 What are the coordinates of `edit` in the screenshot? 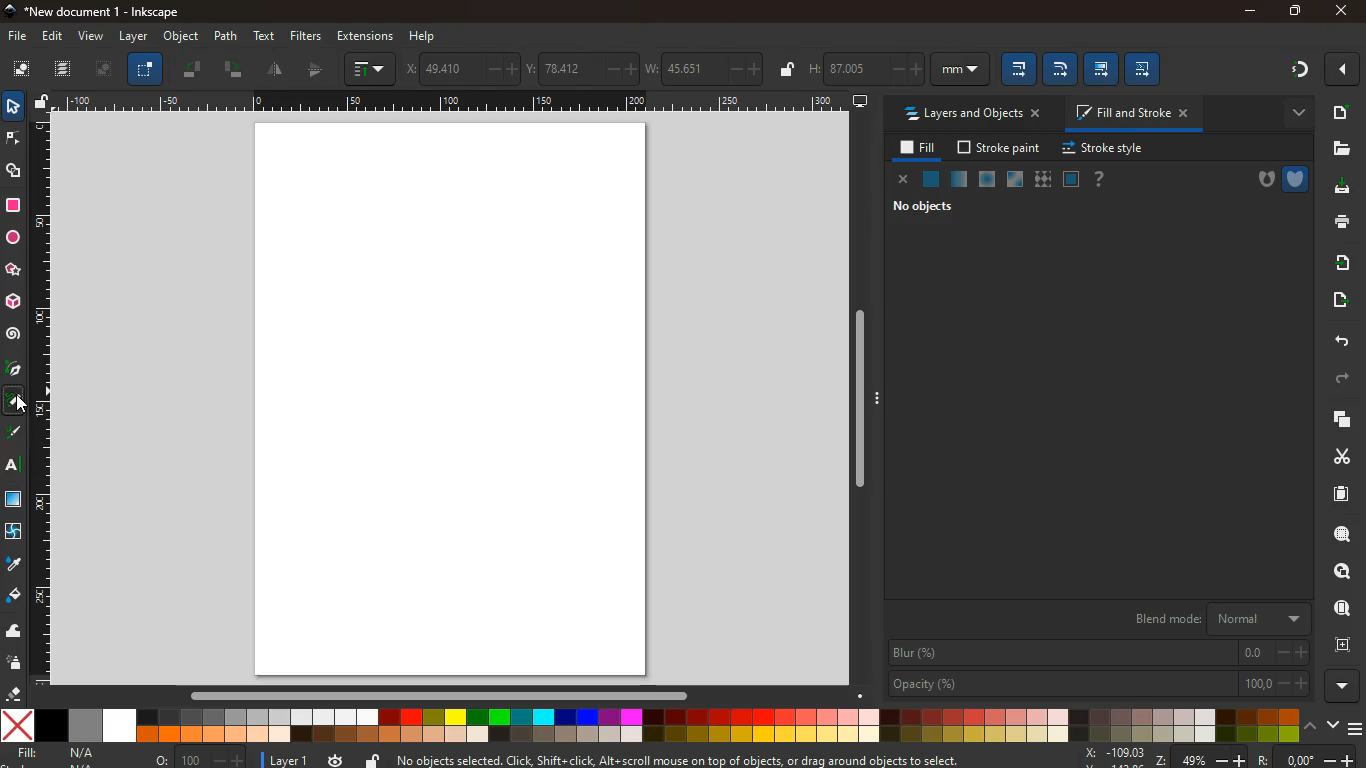 It's located at (1144, 67).